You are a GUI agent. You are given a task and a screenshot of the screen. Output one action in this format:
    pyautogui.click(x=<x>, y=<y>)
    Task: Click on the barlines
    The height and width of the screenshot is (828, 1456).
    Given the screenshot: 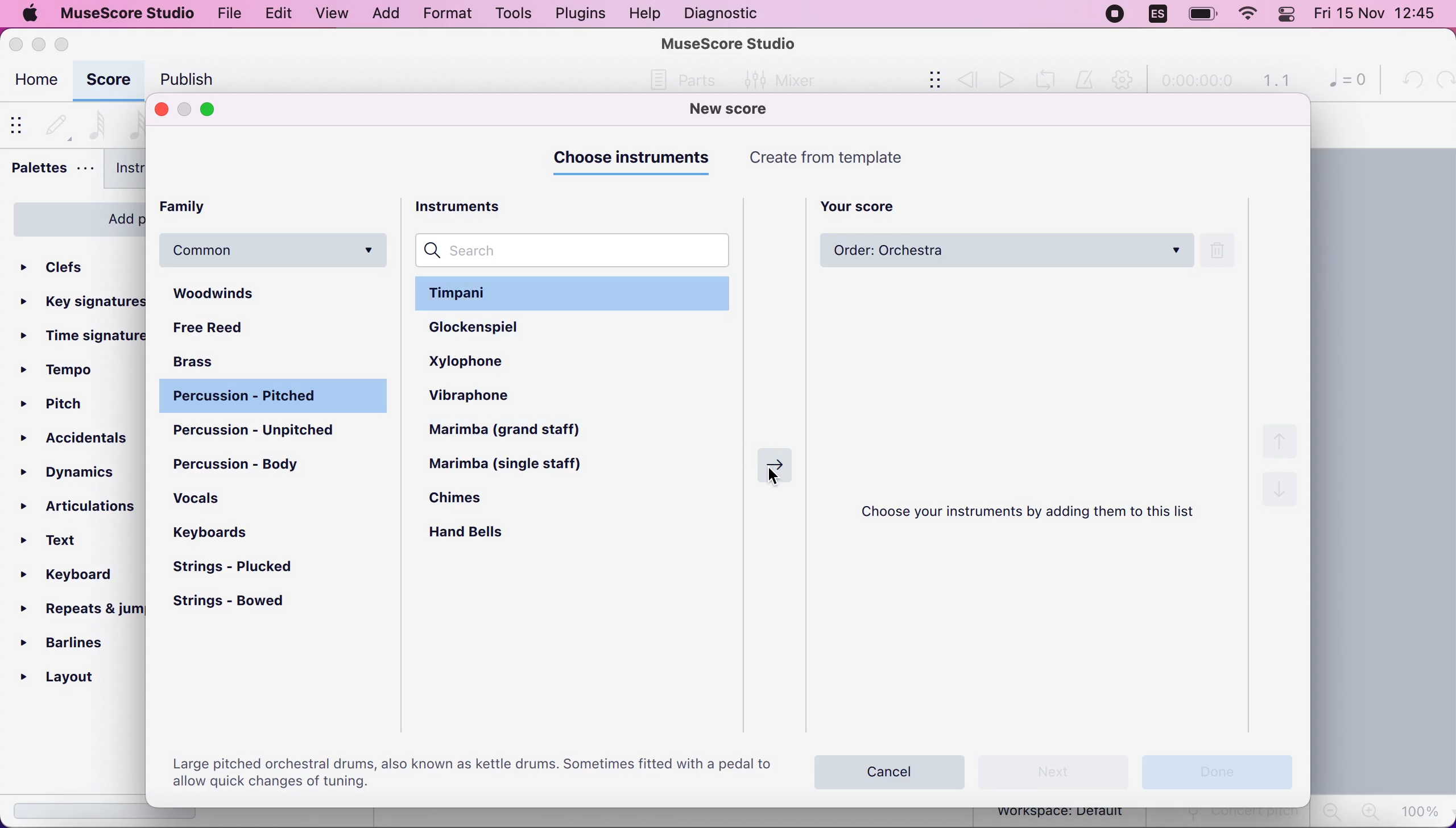 What is the action you would take?
    pyautogui.click(x=75, y=642)
    